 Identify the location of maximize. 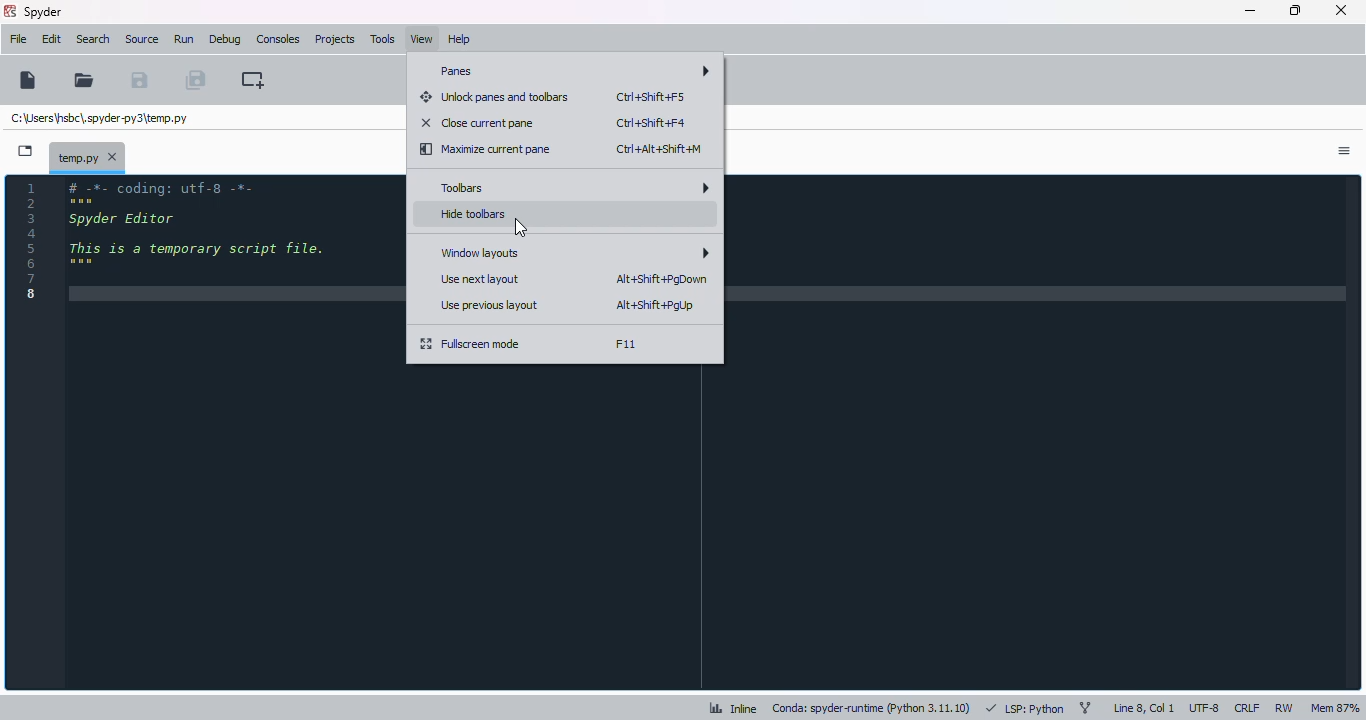
(1296, 10).